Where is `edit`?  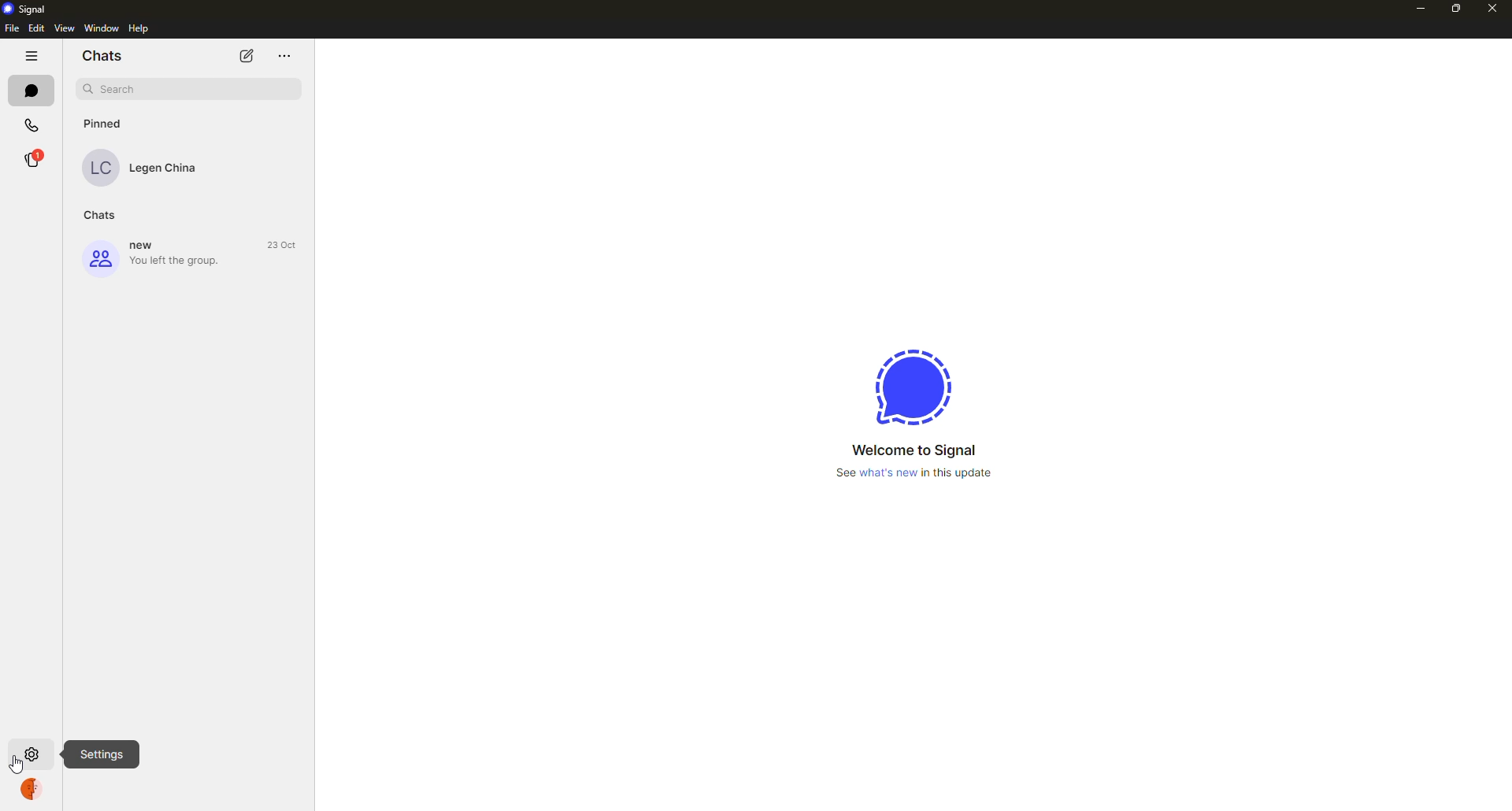 edit is located at coordinates (246, 55).